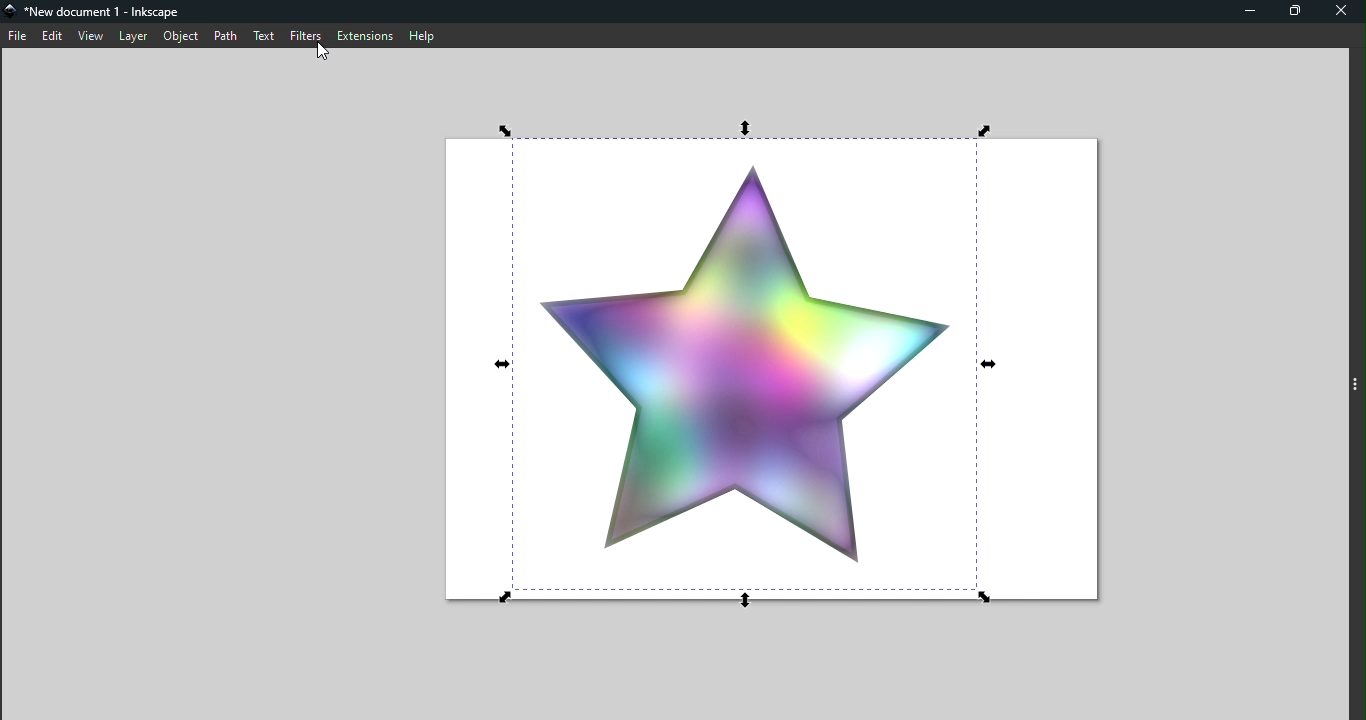  I want to click on Maximize, so click(1295, 11).